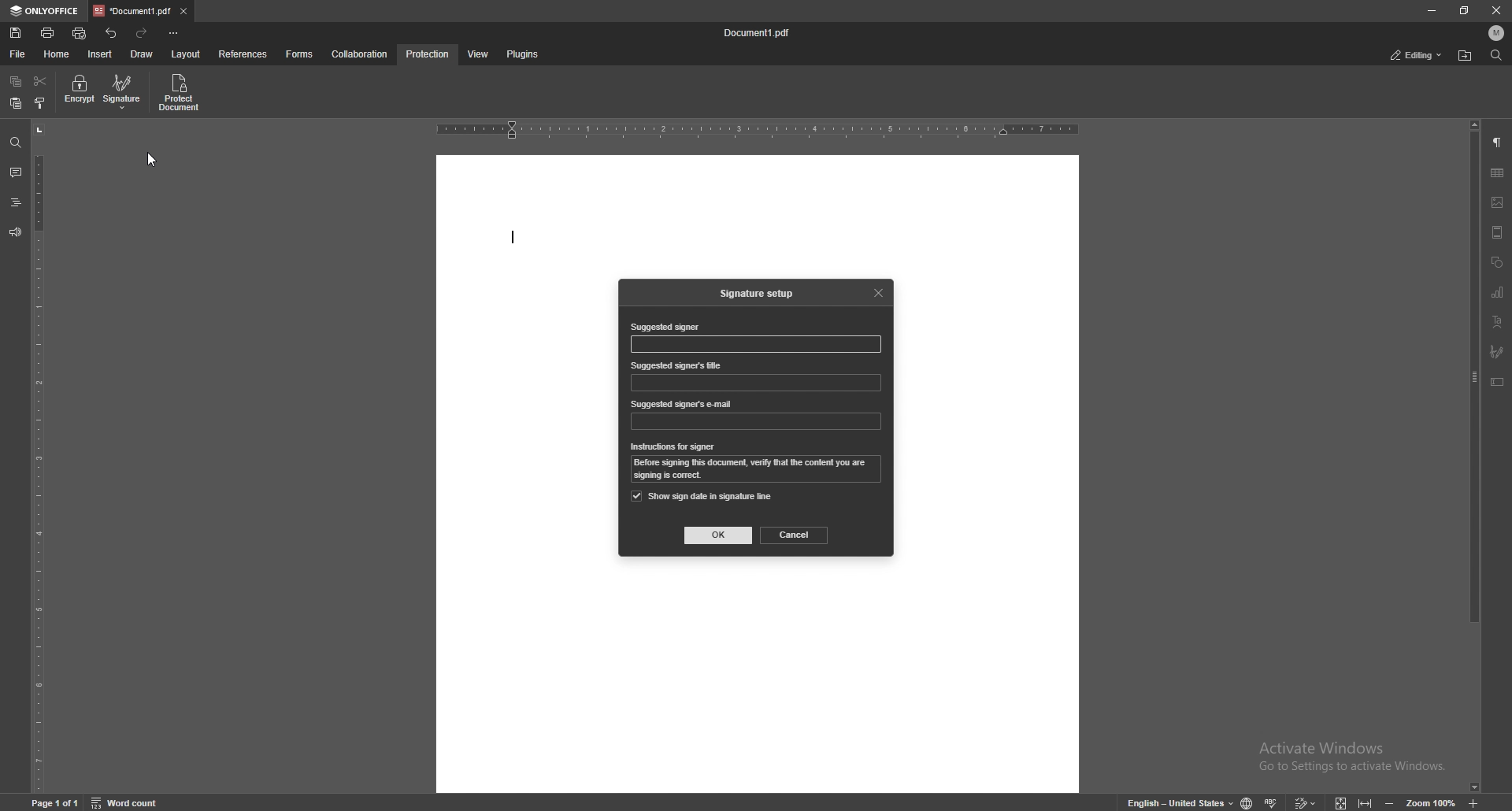 This screenshot has width=1512, height=811. I want to click on locate file, so click(1465, 57).